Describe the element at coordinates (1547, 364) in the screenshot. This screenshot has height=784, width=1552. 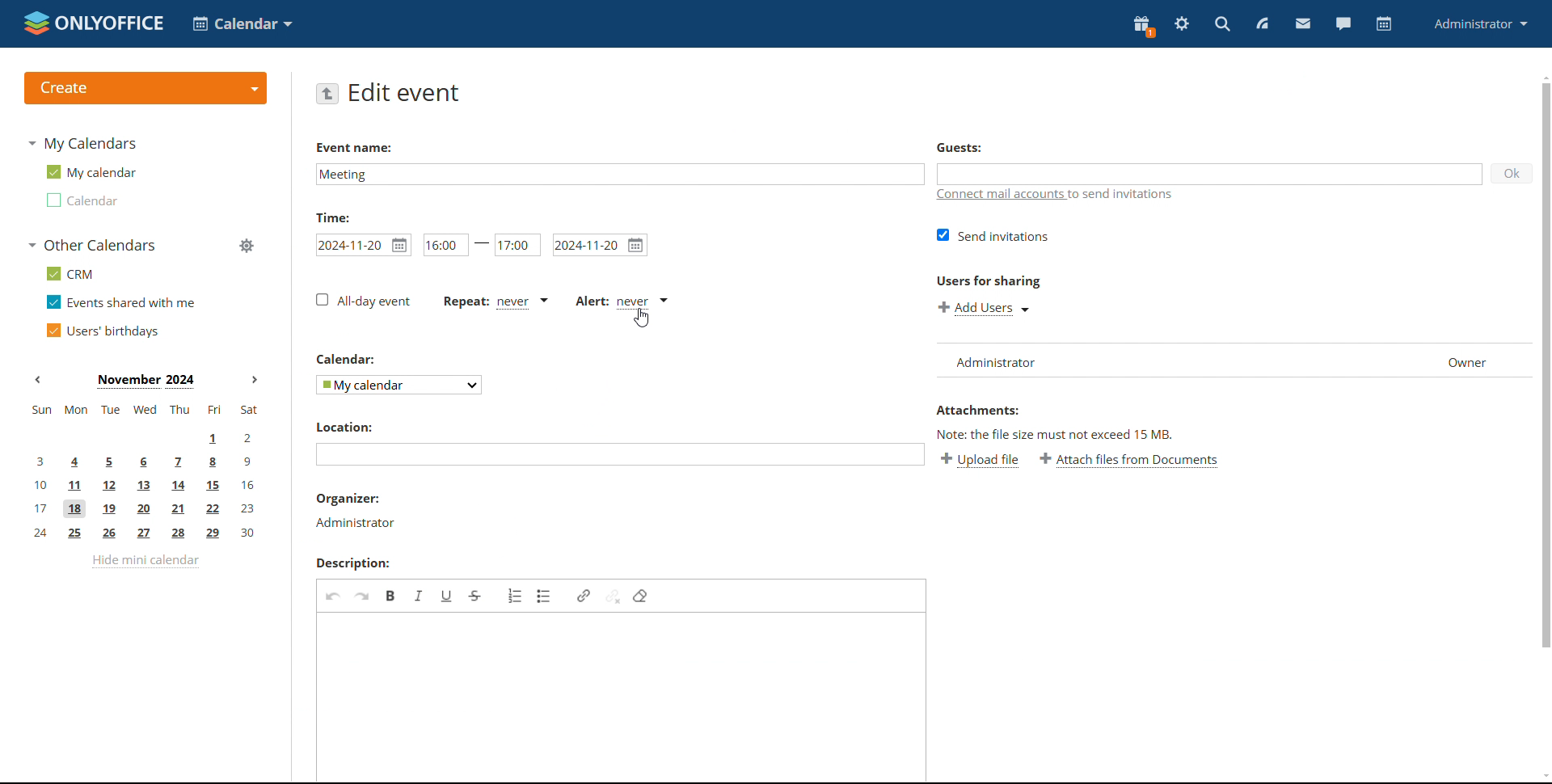
I see `scrollbar` at that location.